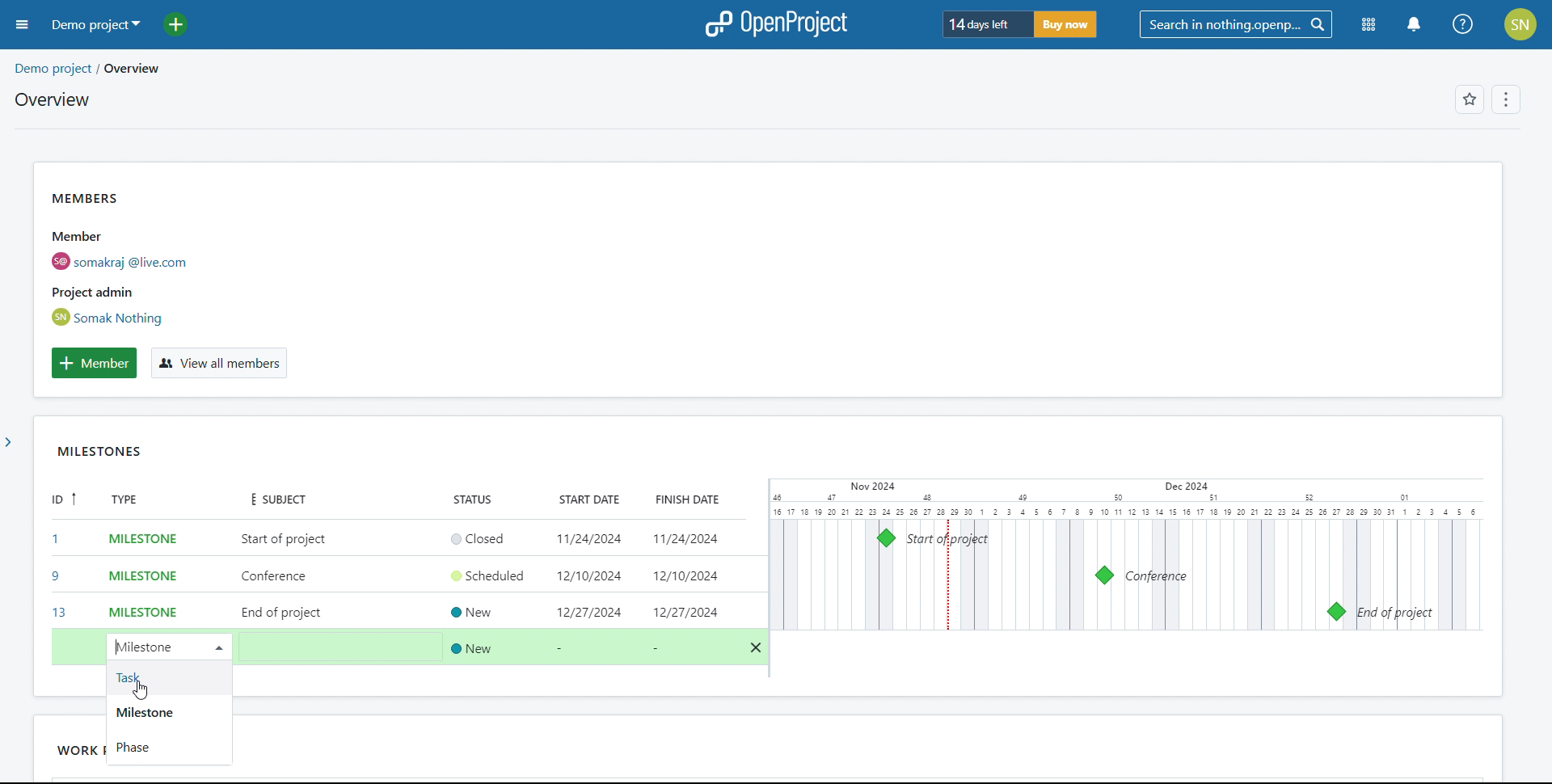 Image resolution: width=1552 pixels, height=784 pixels. Describe the element at coordinates (167, 648) in the screenshot. I see `create new work package` at that location.